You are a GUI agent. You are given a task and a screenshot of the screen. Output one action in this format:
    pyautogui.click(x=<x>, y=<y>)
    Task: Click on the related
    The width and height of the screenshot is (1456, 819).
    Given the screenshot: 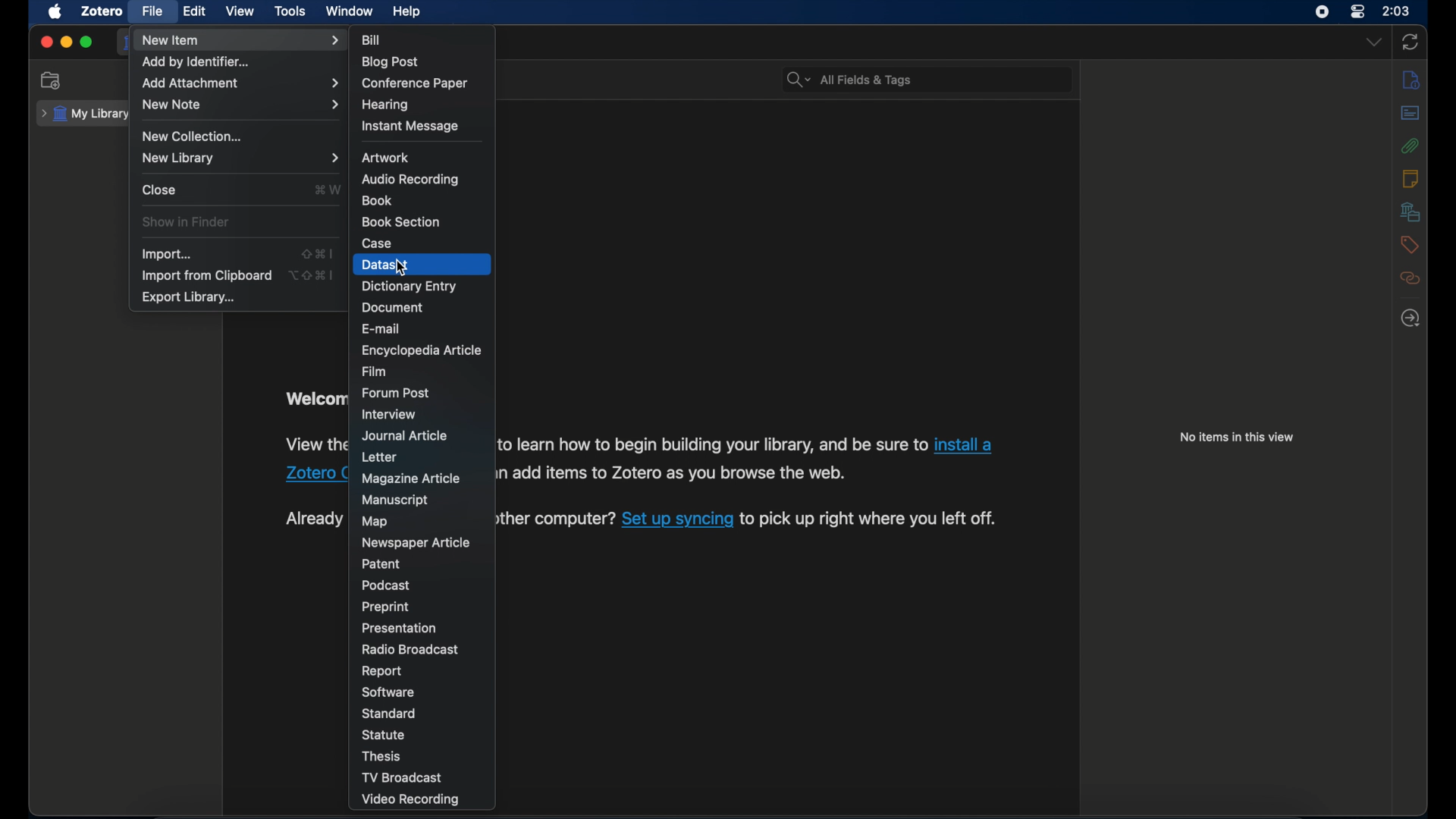 What is the action you would take?
    pyautogui.click(x=1410, y=278)
    